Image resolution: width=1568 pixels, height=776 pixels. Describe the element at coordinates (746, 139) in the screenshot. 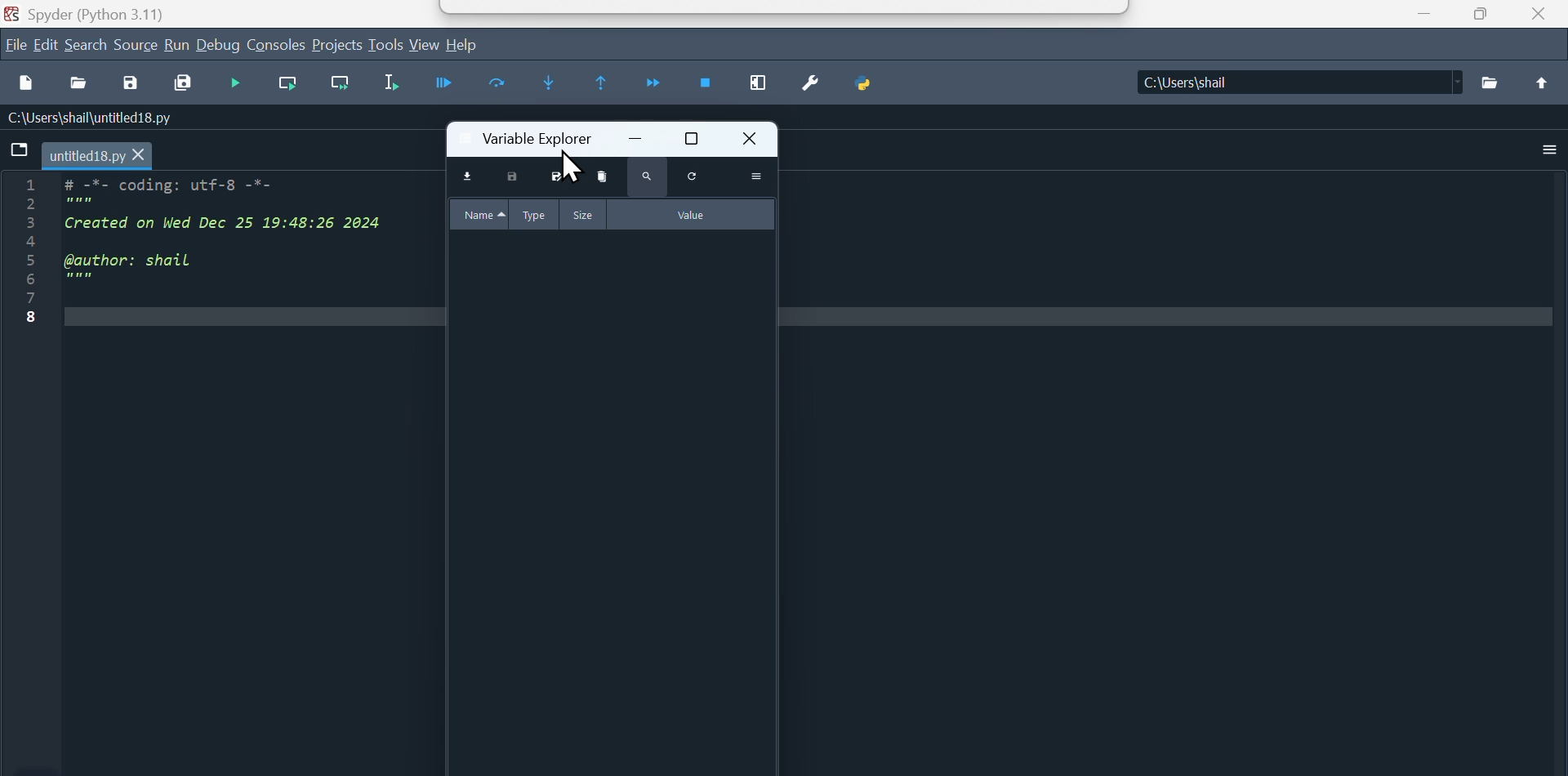

I see `close` at that location.